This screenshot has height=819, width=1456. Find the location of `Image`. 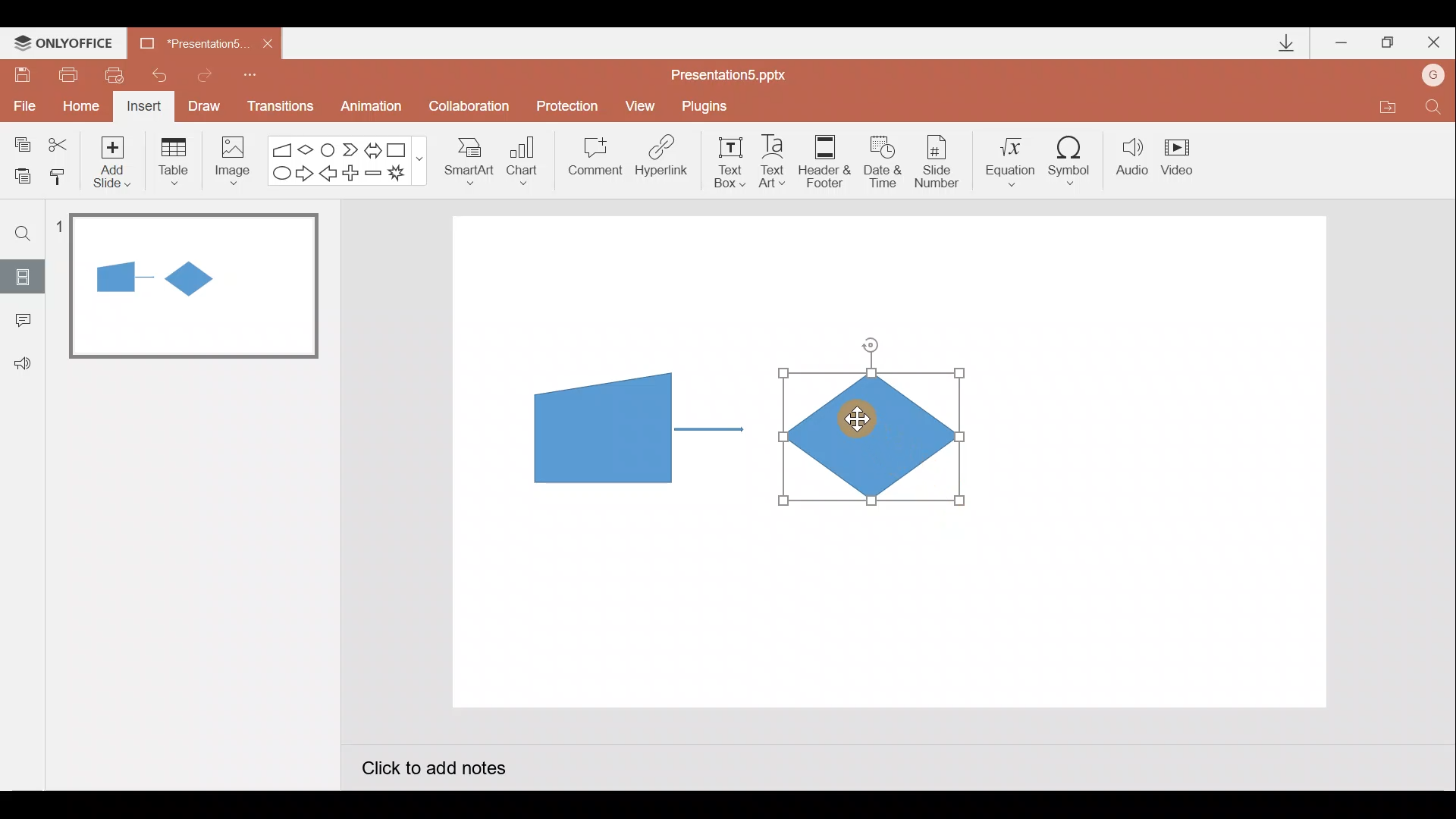

Image is located at coordinates (228, 160).